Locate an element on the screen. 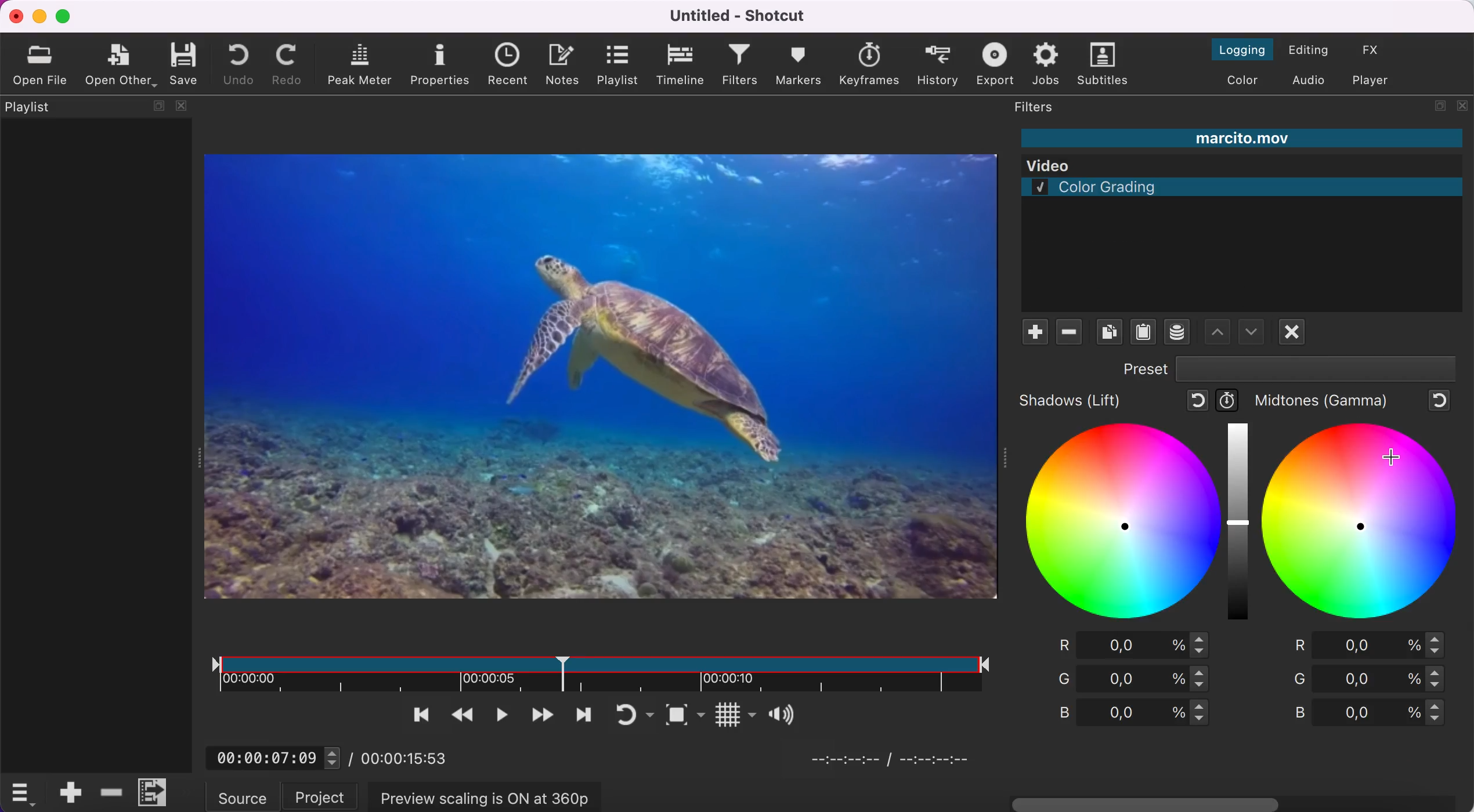 Image resolution: width=1474 pixels, height=812 pixels. play quickly forwards is located at coordinates (541, 713).